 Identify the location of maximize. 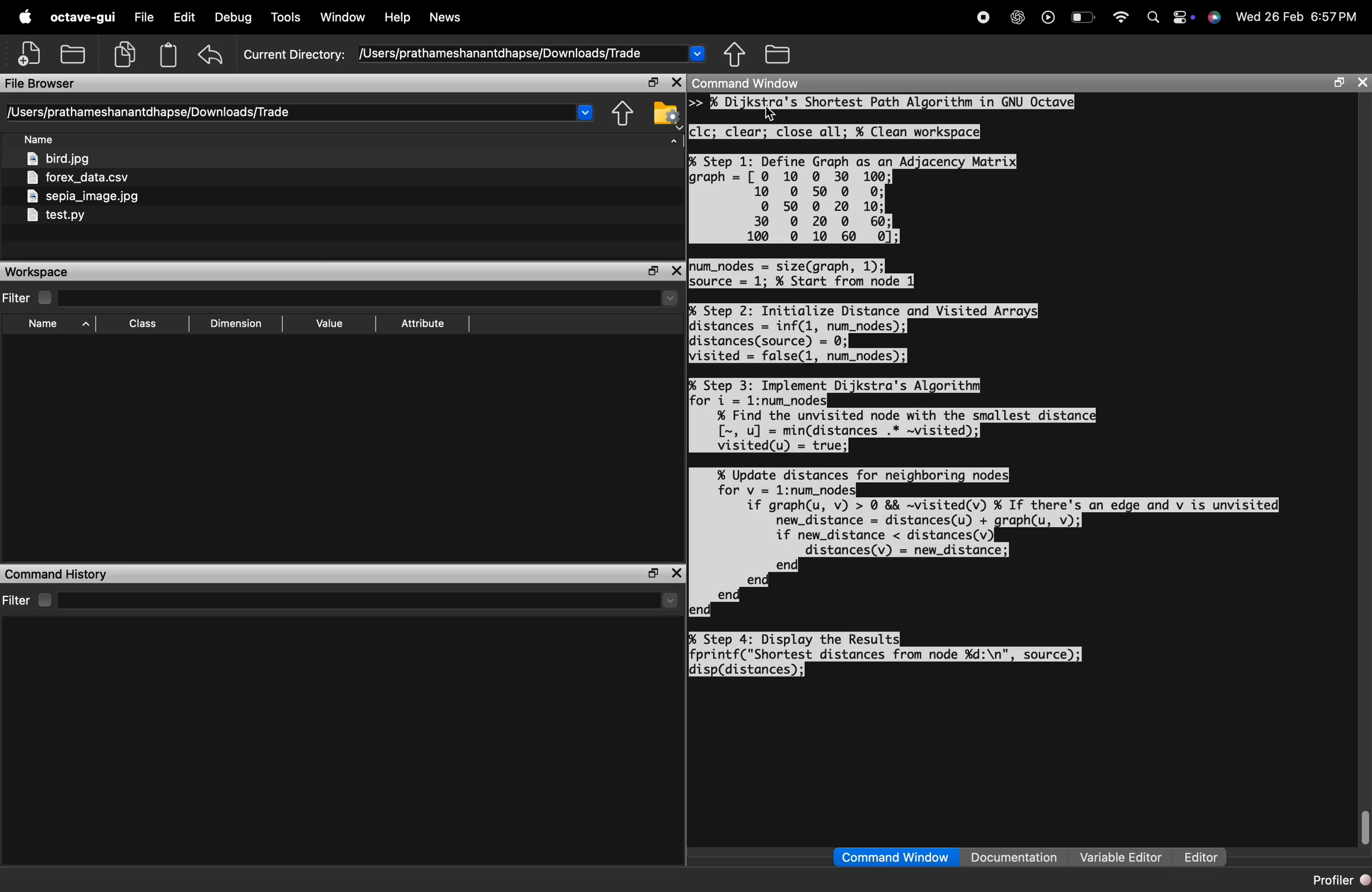
(653, 271).